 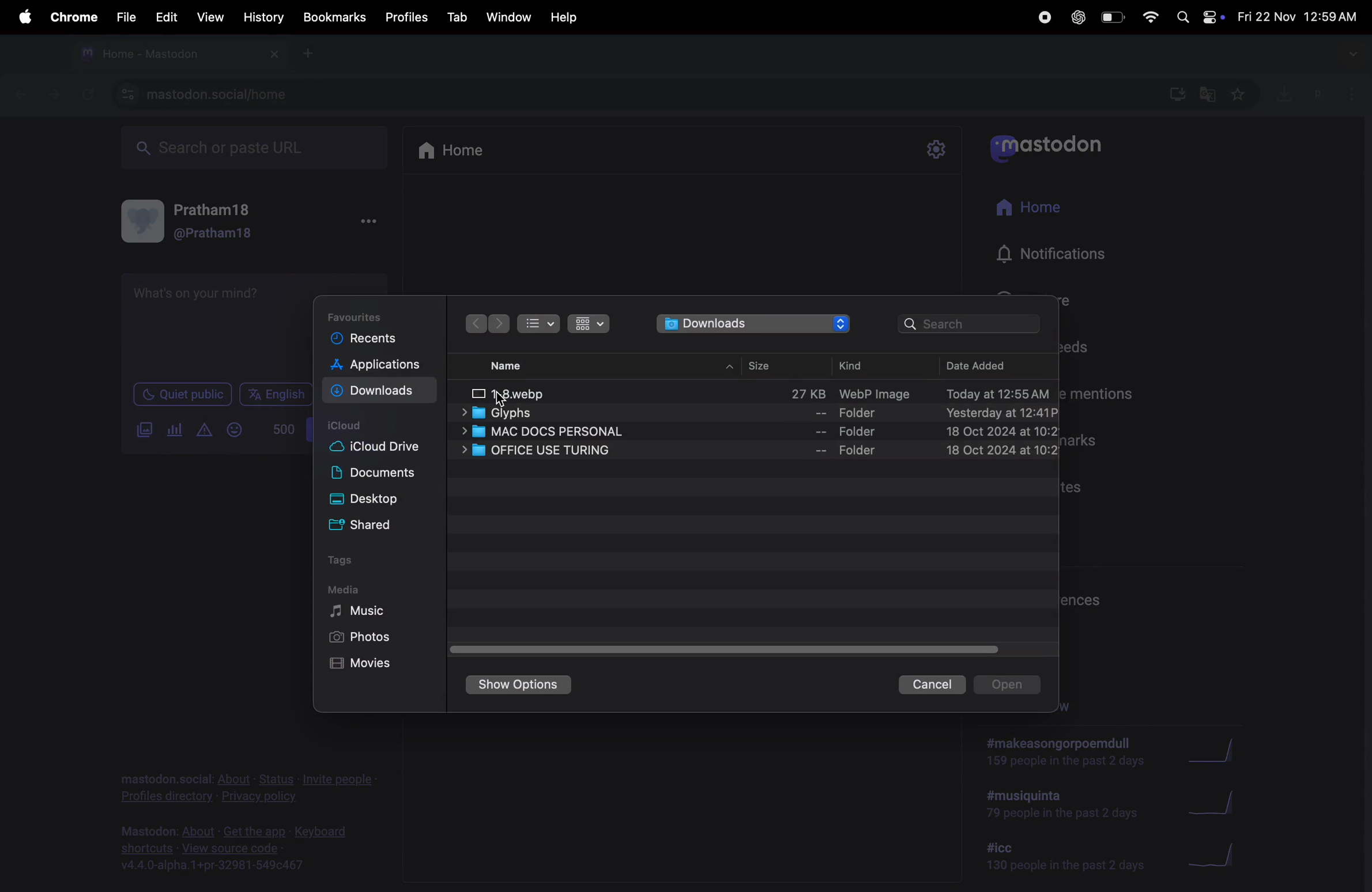 I want to click on name, so click(x=518, y=366).